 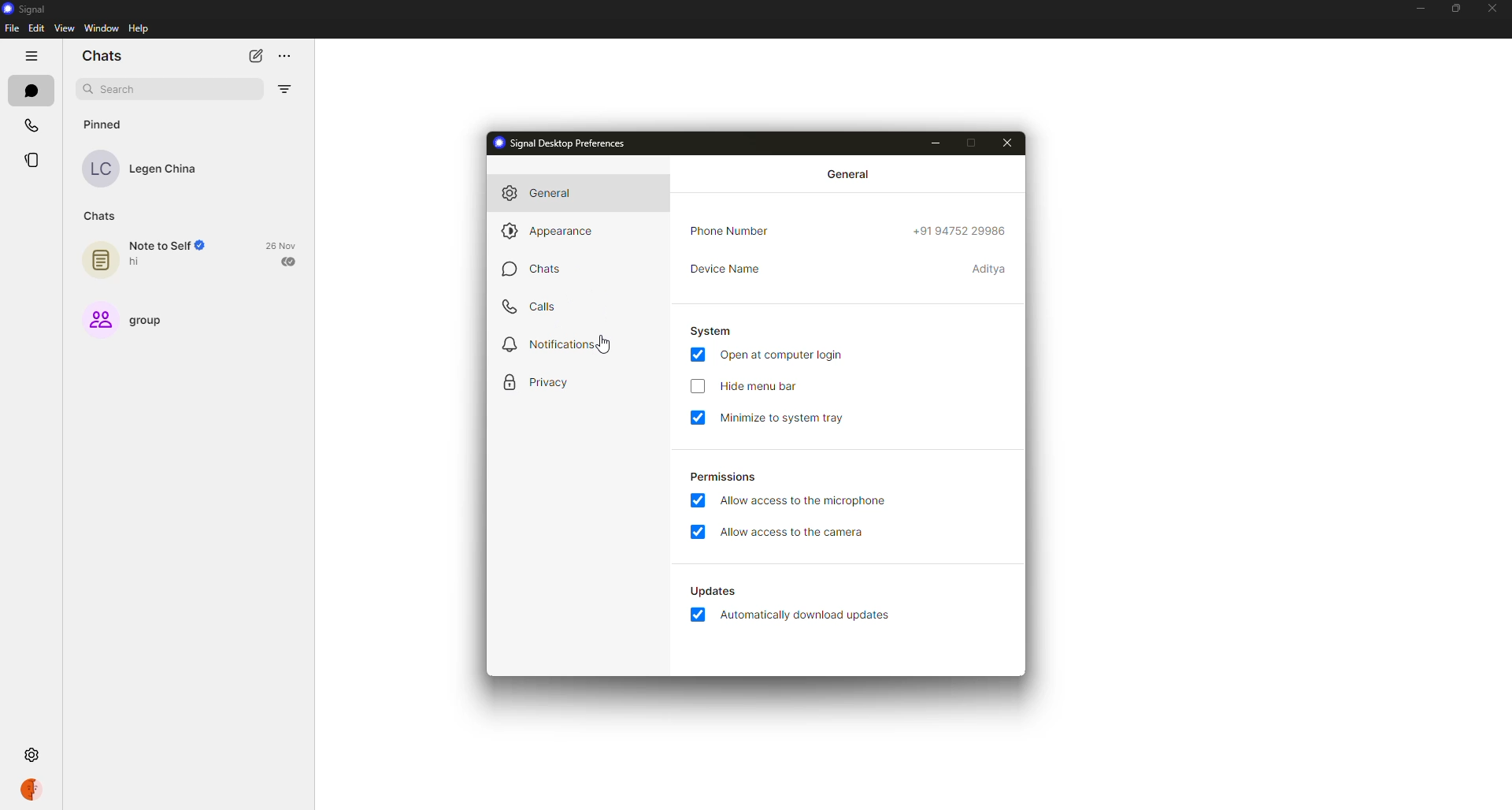 What do you see at coordinates (106, 124) in the screenshot?
I see `pinned` at bounding box center [106, 124].